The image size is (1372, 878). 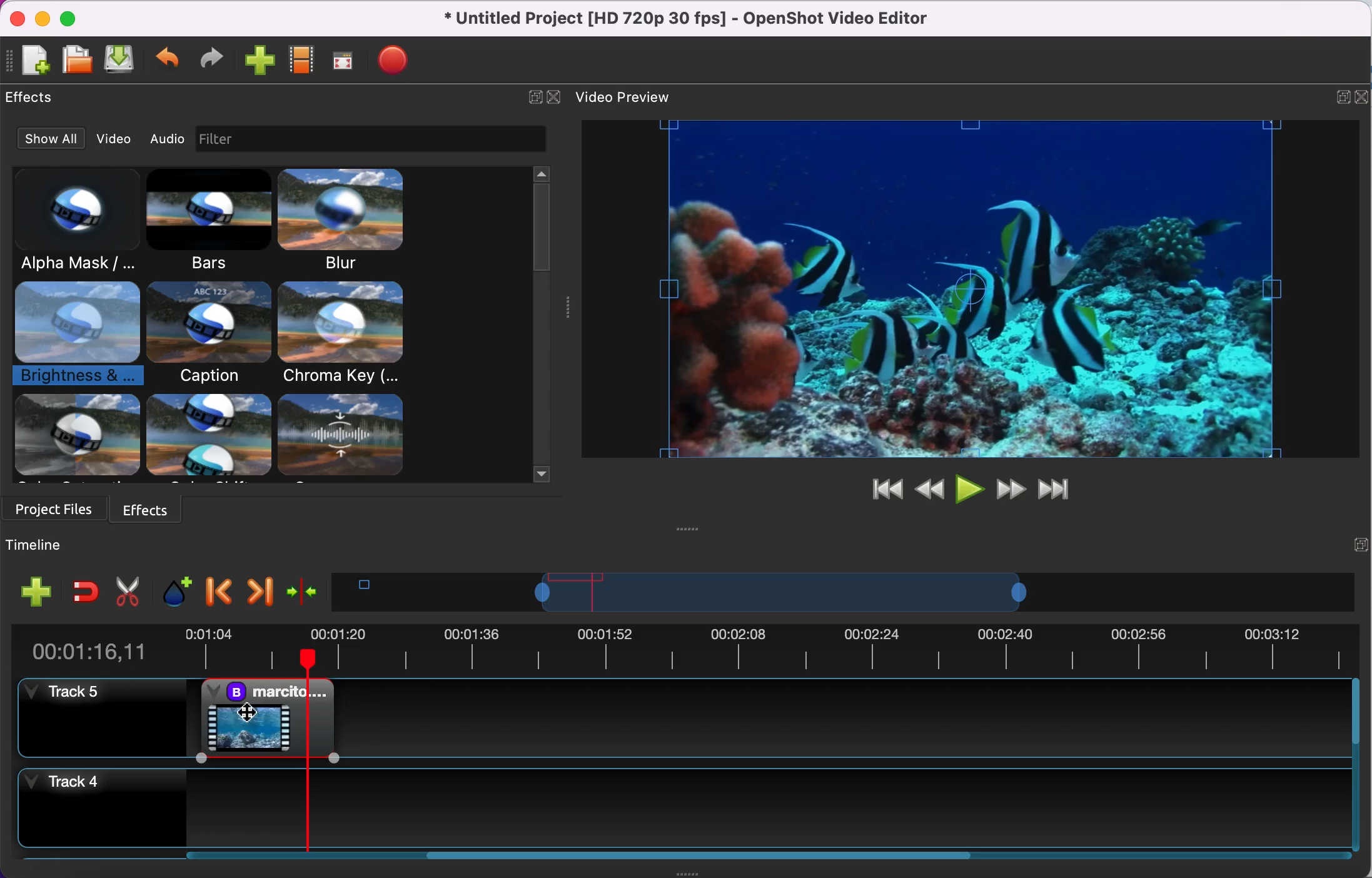 I want to click on close, so click(x=1363, y=95).